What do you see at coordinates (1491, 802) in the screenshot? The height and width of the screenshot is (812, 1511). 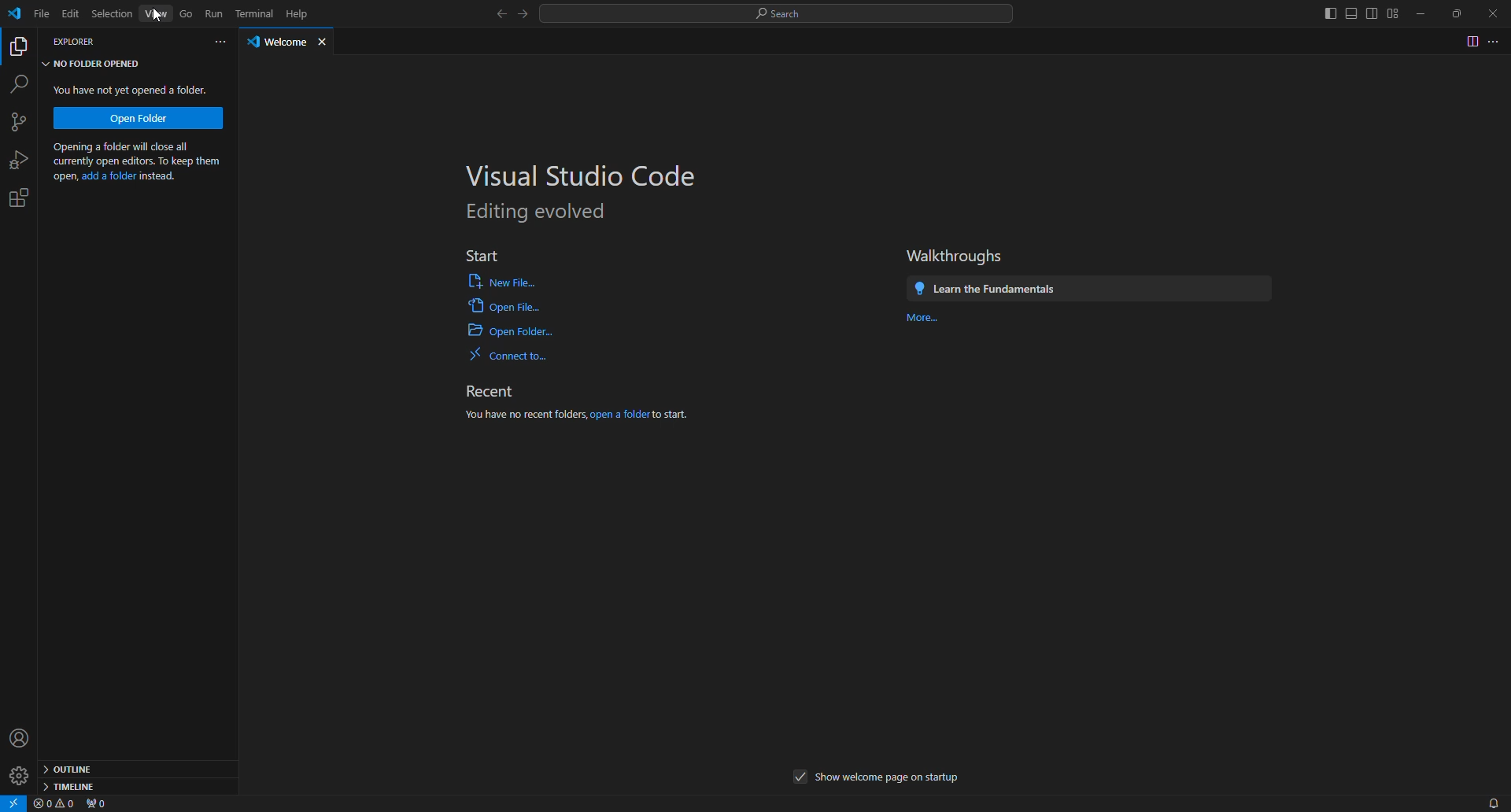 I see `notifications` at bounding box center [1491, 802].